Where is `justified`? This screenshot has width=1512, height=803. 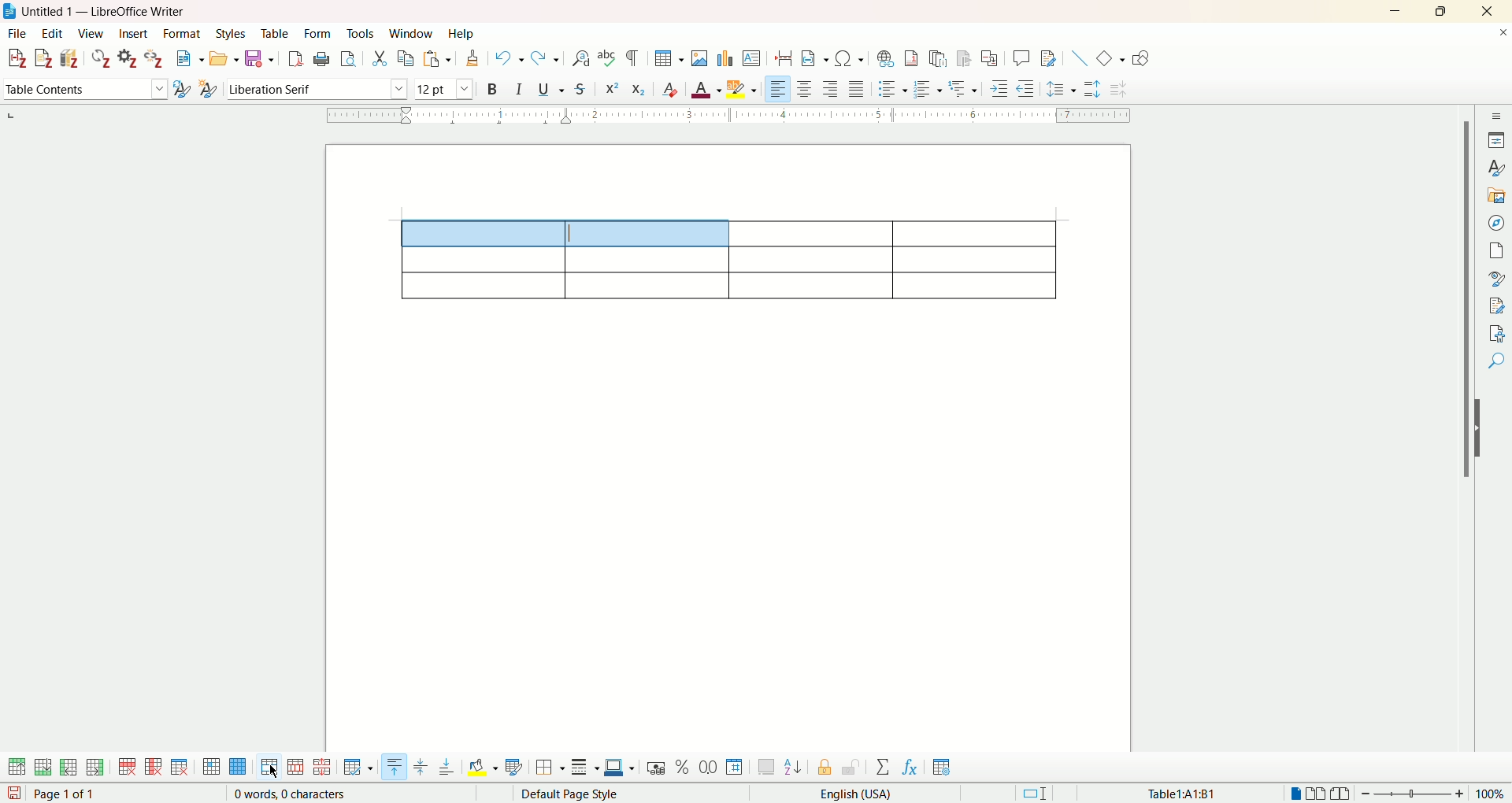
justified is located at coordinates (855, 91).